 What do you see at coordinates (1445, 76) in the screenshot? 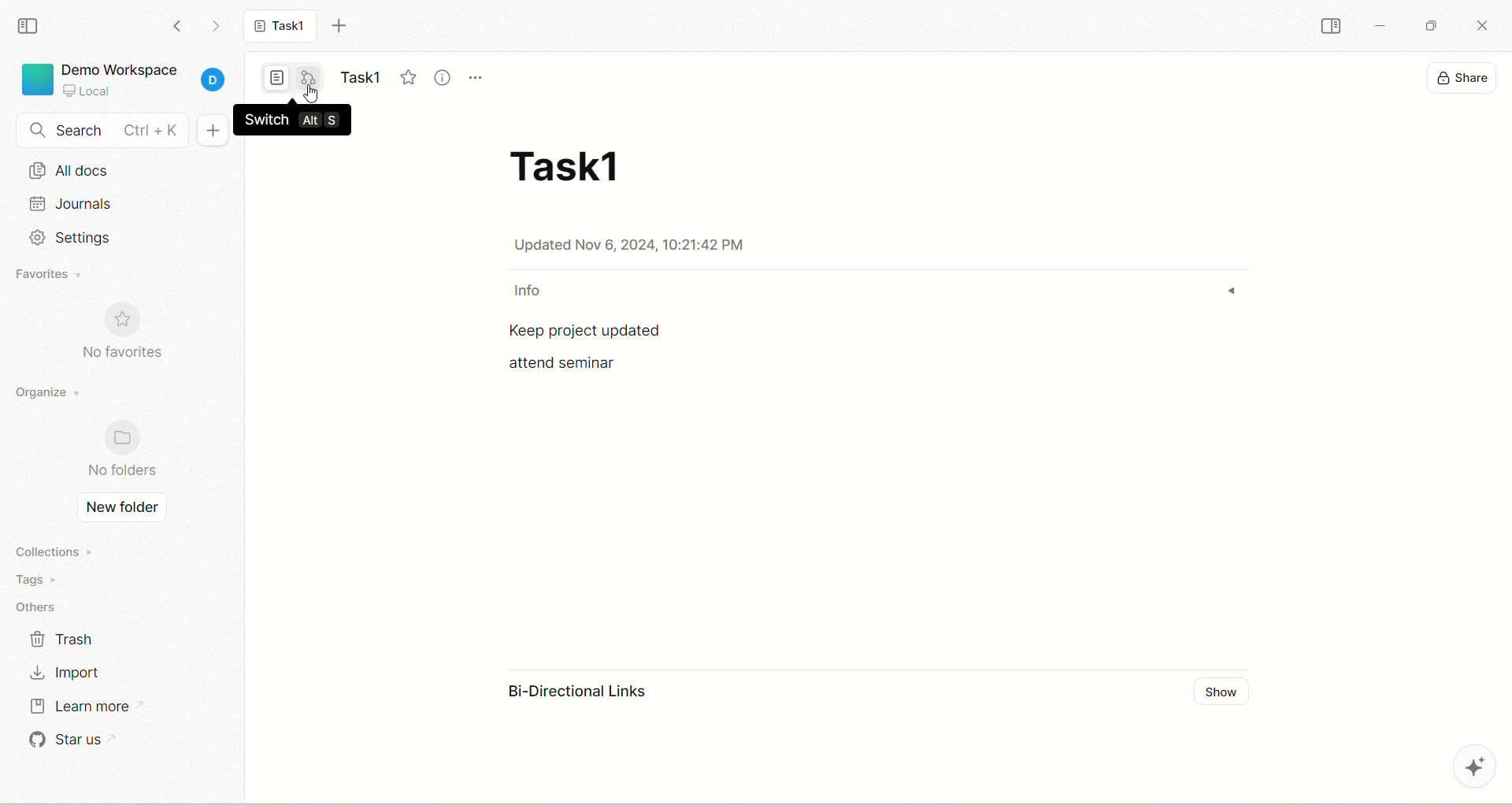
I see `display` at bounding box center [1445, 76].